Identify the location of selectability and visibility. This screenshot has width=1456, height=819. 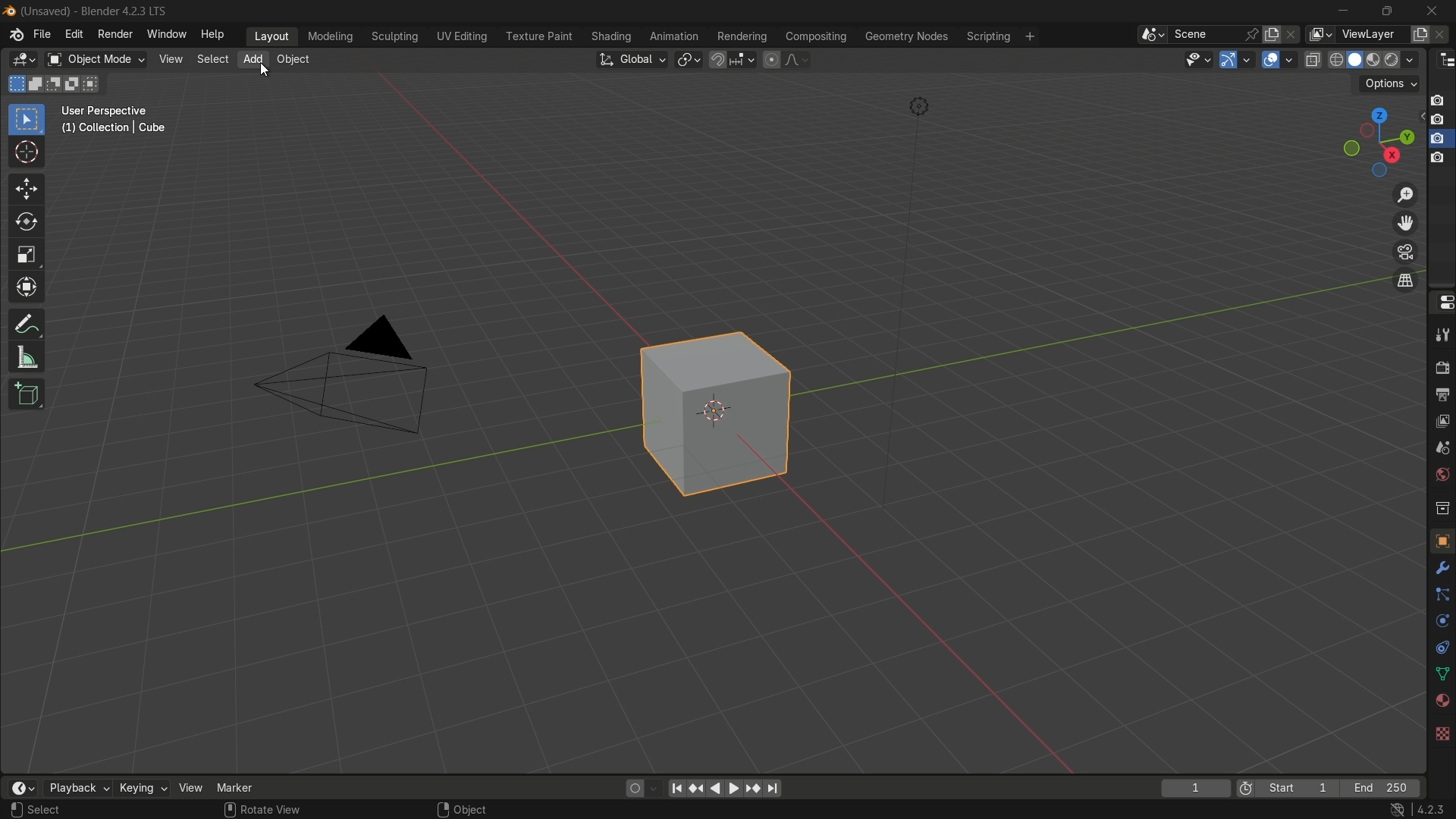
(1199, 59).